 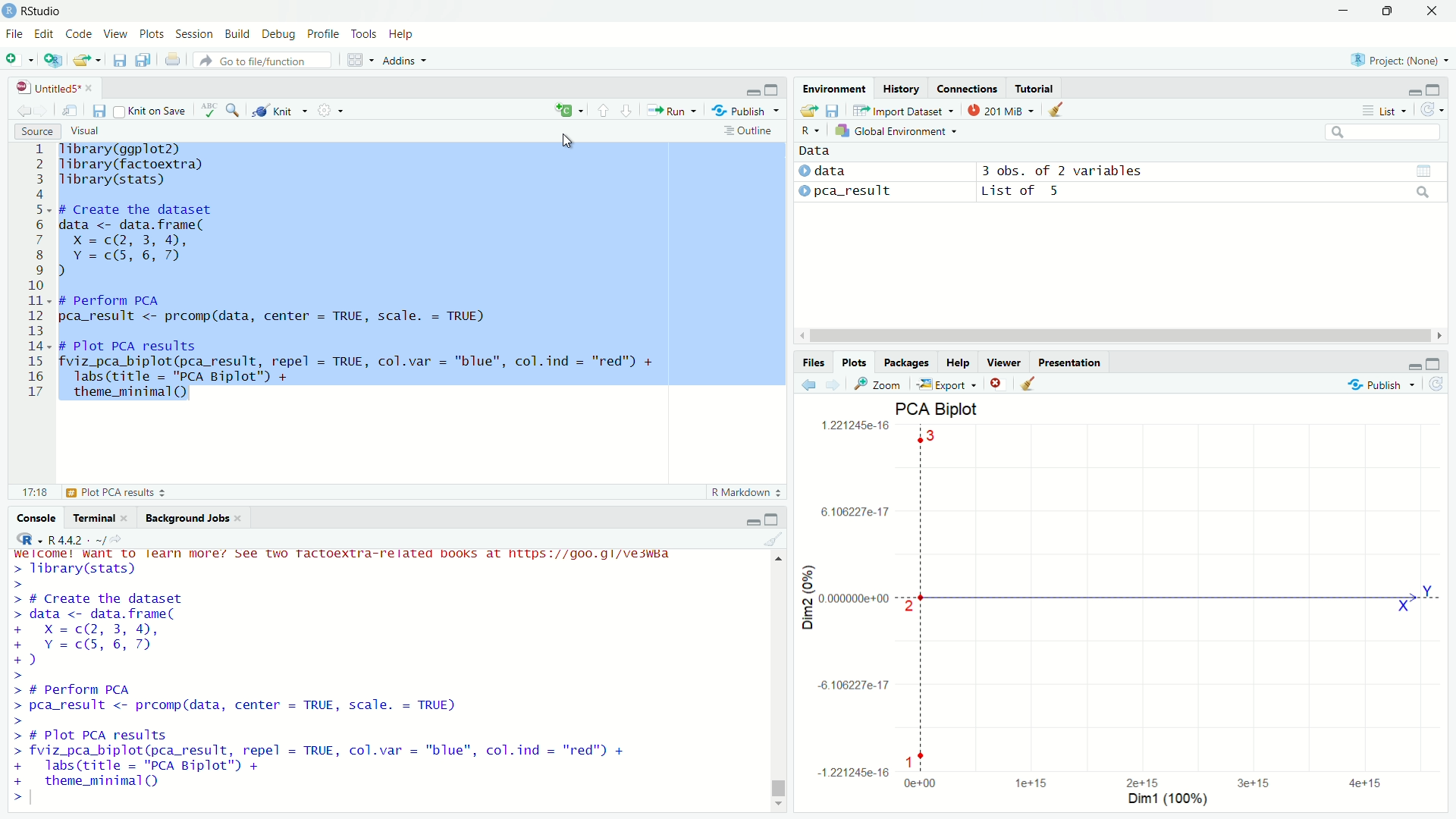 What do you see at coordinates (566, 111) in the screenshot?
I see `language select` at bounding box center [566, 111].